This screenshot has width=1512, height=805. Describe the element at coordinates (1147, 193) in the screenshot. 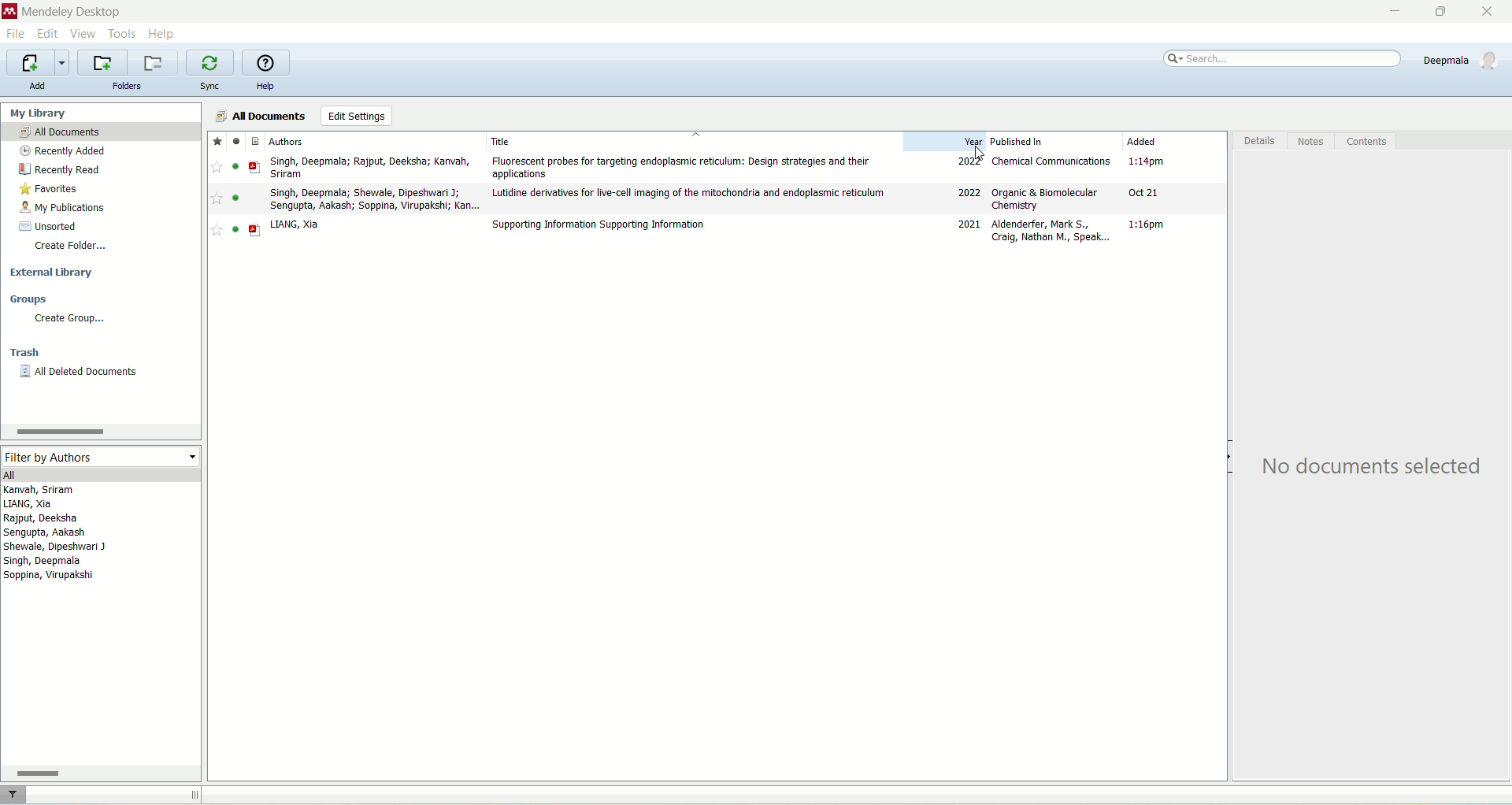

I see `Oct 21` at that location.